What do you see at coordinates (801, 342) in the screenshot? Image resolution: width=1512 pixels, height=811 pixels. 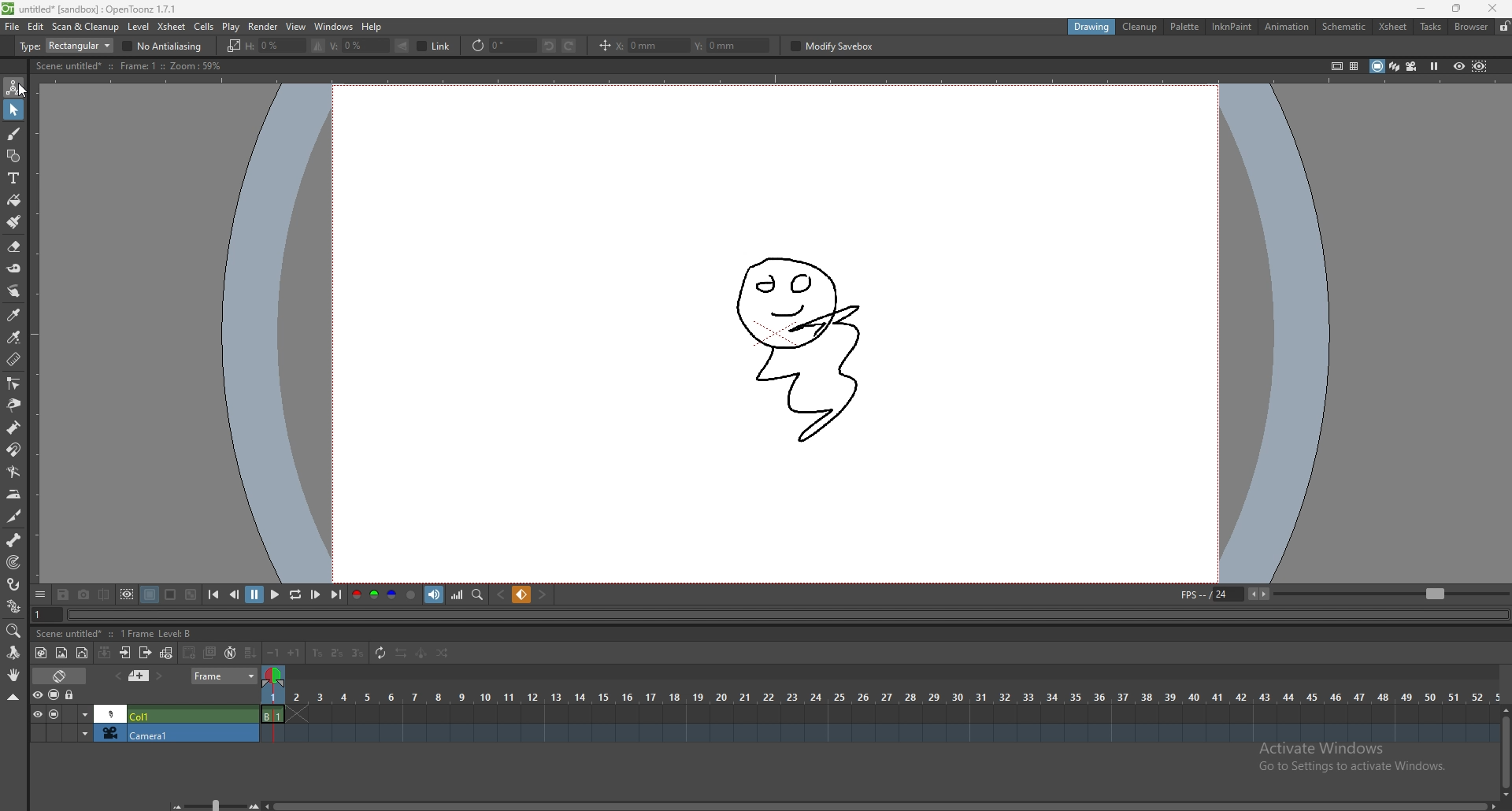 I see `drawing` at bounding box center [801, 342].